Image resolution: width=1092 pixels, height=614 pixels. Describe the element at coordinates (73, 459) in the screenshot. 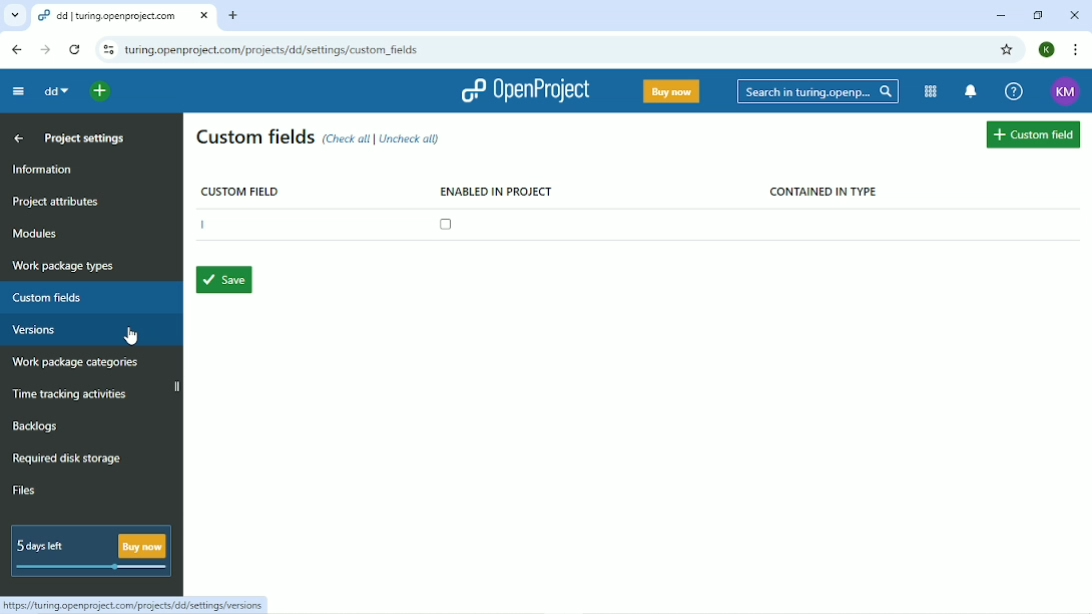

I see `Required disk storage` at that location.